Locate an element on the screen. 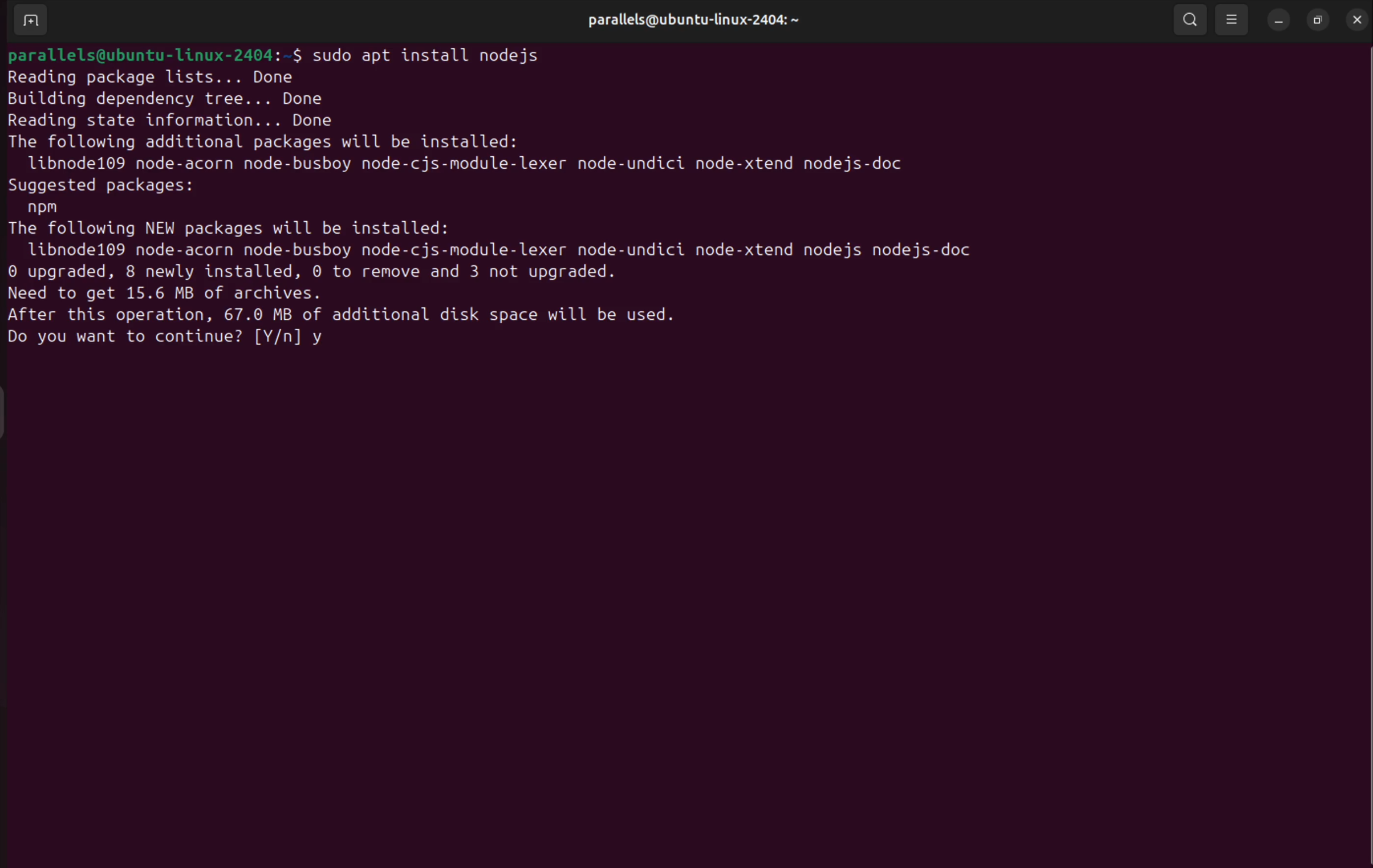 The width and height of the screenshot is (1373, 868). search is located at coordinates (1192, 21).